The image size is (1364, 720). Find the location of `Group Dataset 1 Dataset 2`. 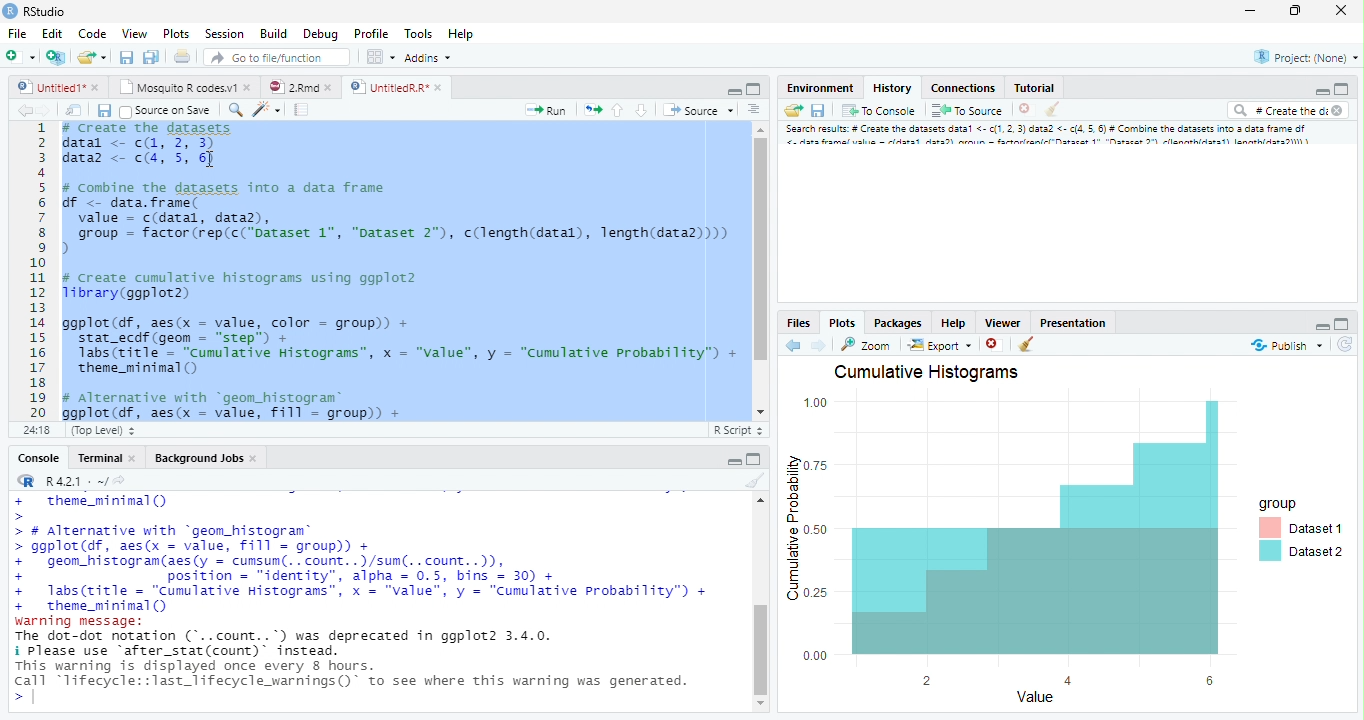

Group Dataset 1 Dataset 2 is located at coordinates (1306, 528).